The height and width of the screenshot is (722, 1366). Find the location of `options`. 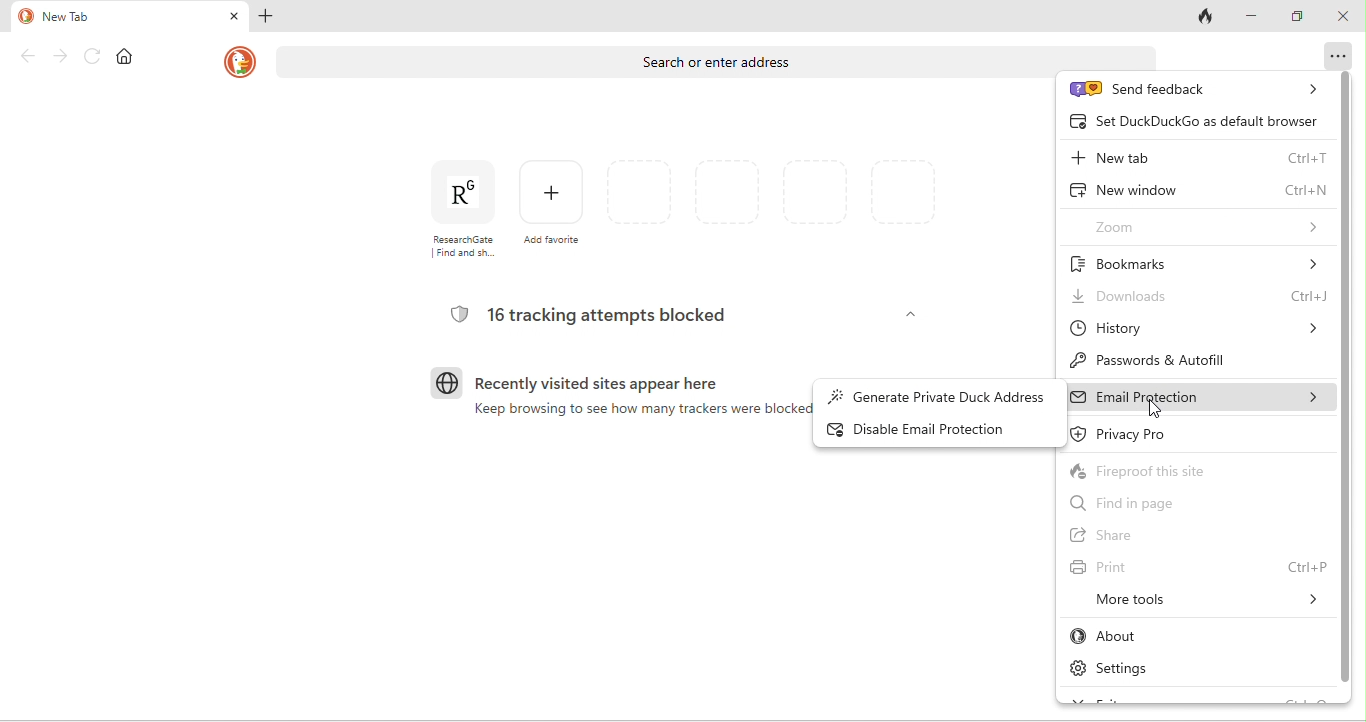

options is located at coordinates (1333, 55).